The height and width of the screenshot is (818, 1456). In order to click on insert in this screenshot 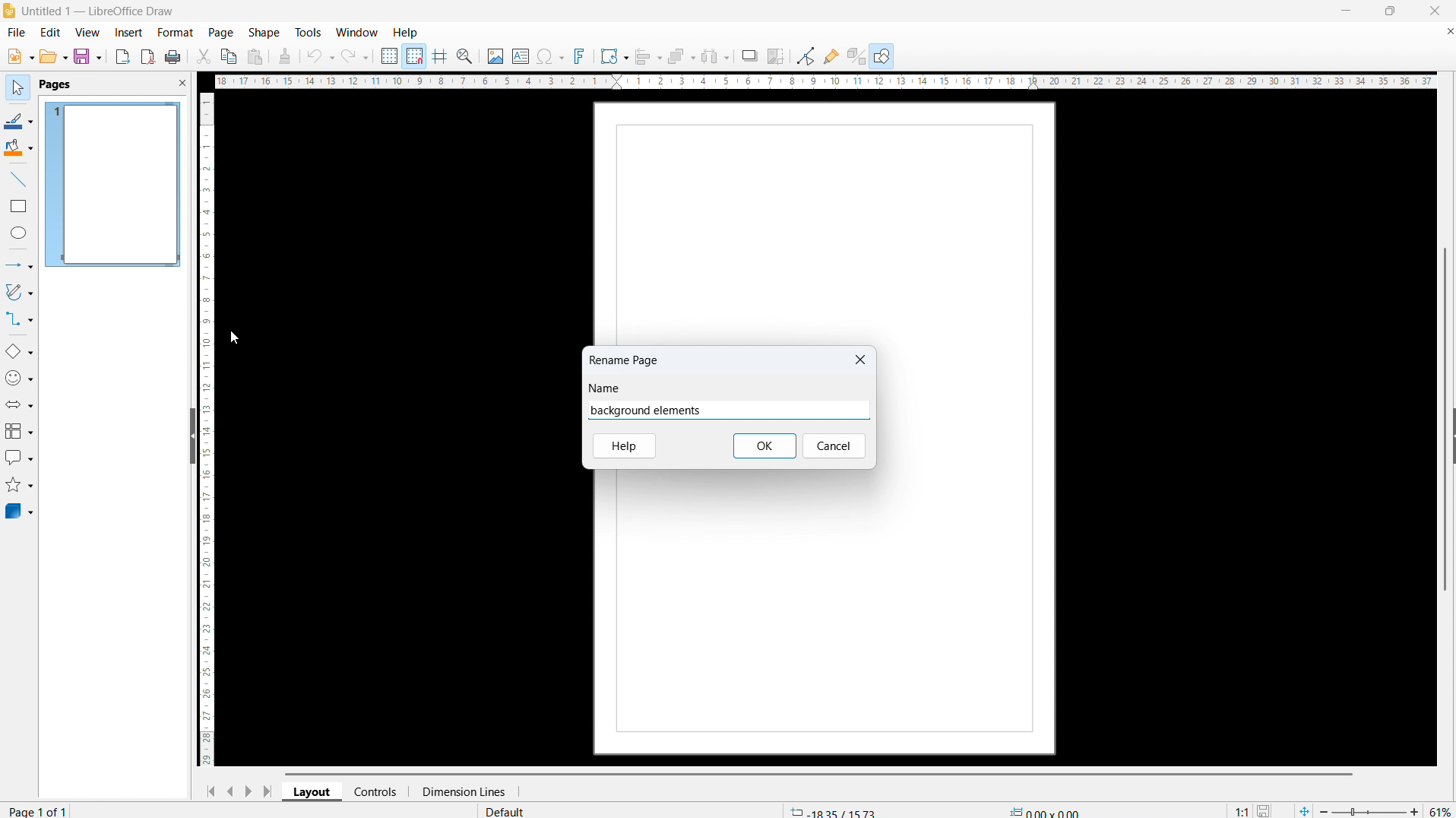, I will do `click(128, 33)`.